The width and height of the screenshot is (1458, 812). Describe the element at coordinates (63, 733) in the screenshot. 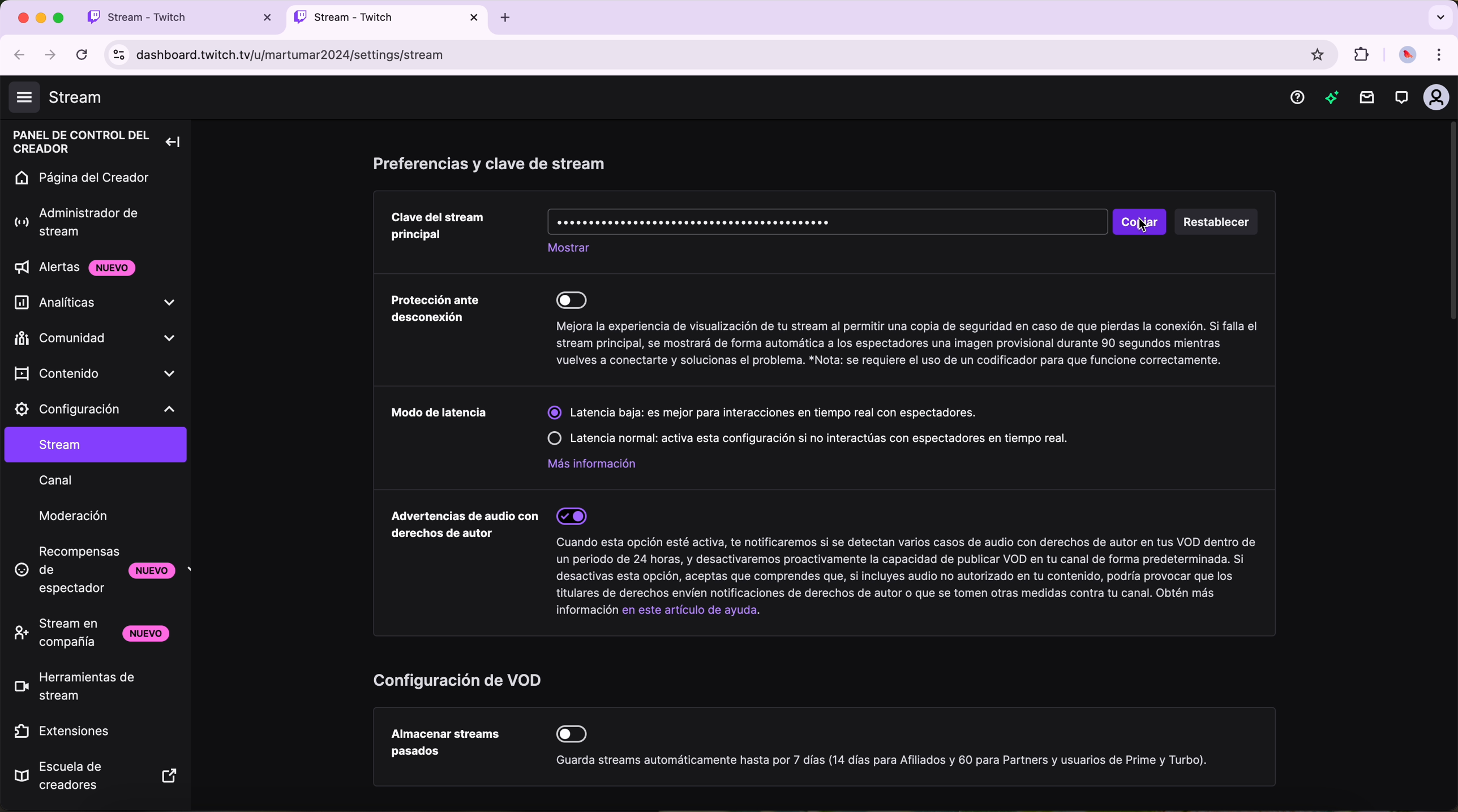

I see `extensions` at that location.